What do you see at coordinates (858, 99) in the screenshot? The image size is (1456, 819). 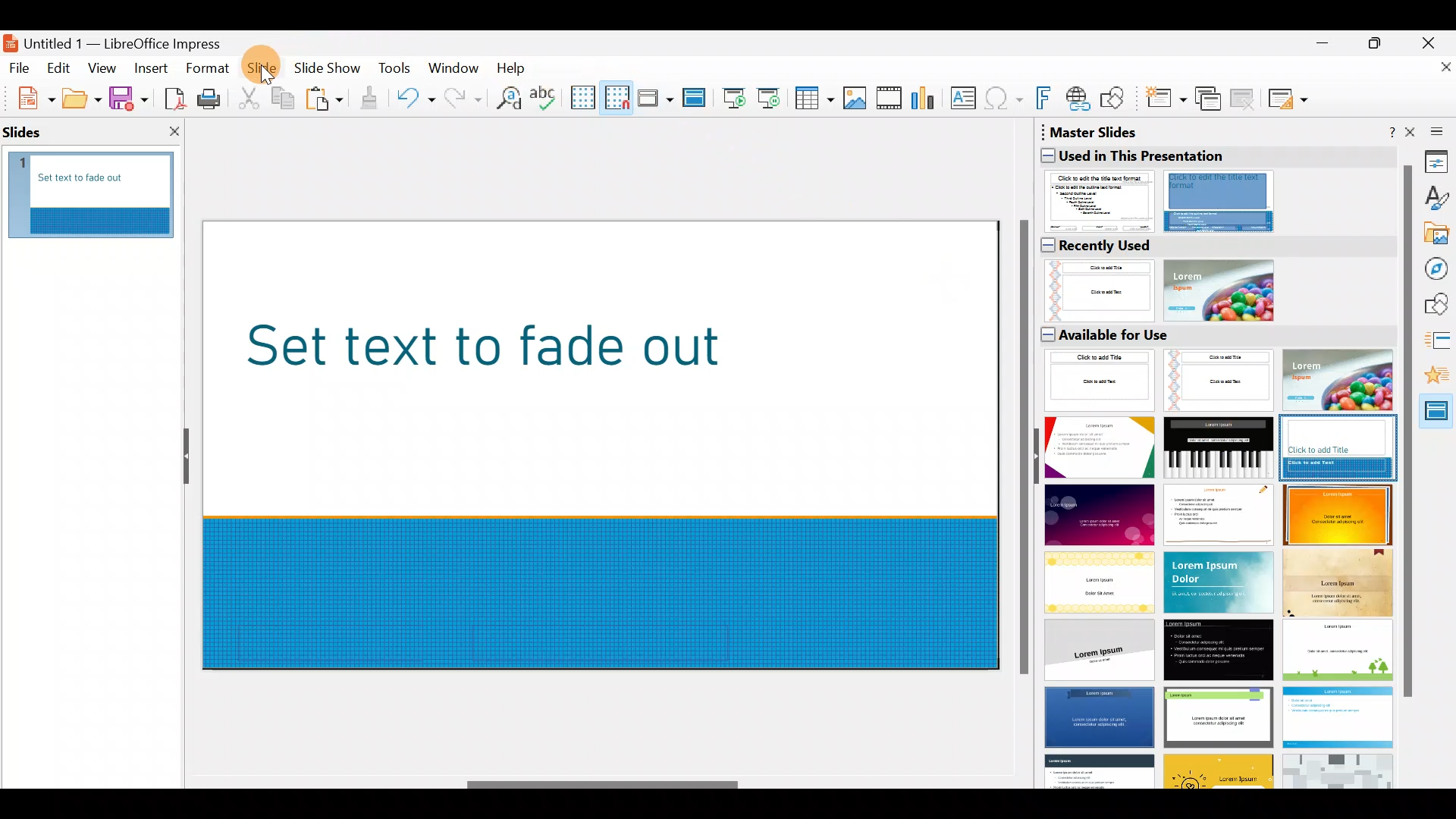 I see `Insert image` at bounding box center [858, 99].